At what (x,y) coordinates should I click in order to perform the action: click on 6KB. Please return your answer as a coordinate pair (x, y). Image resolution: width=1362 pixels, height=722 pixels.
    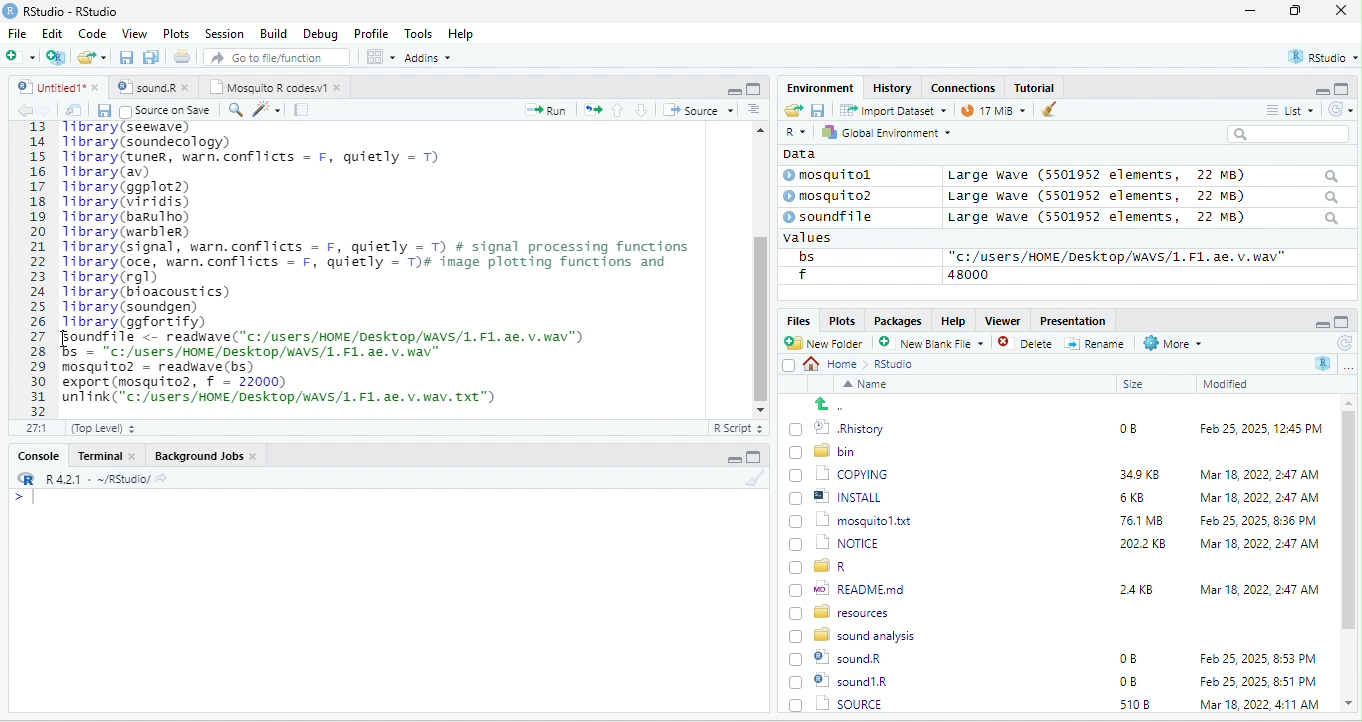
    Looking at the image, I should click on (1133, 498).